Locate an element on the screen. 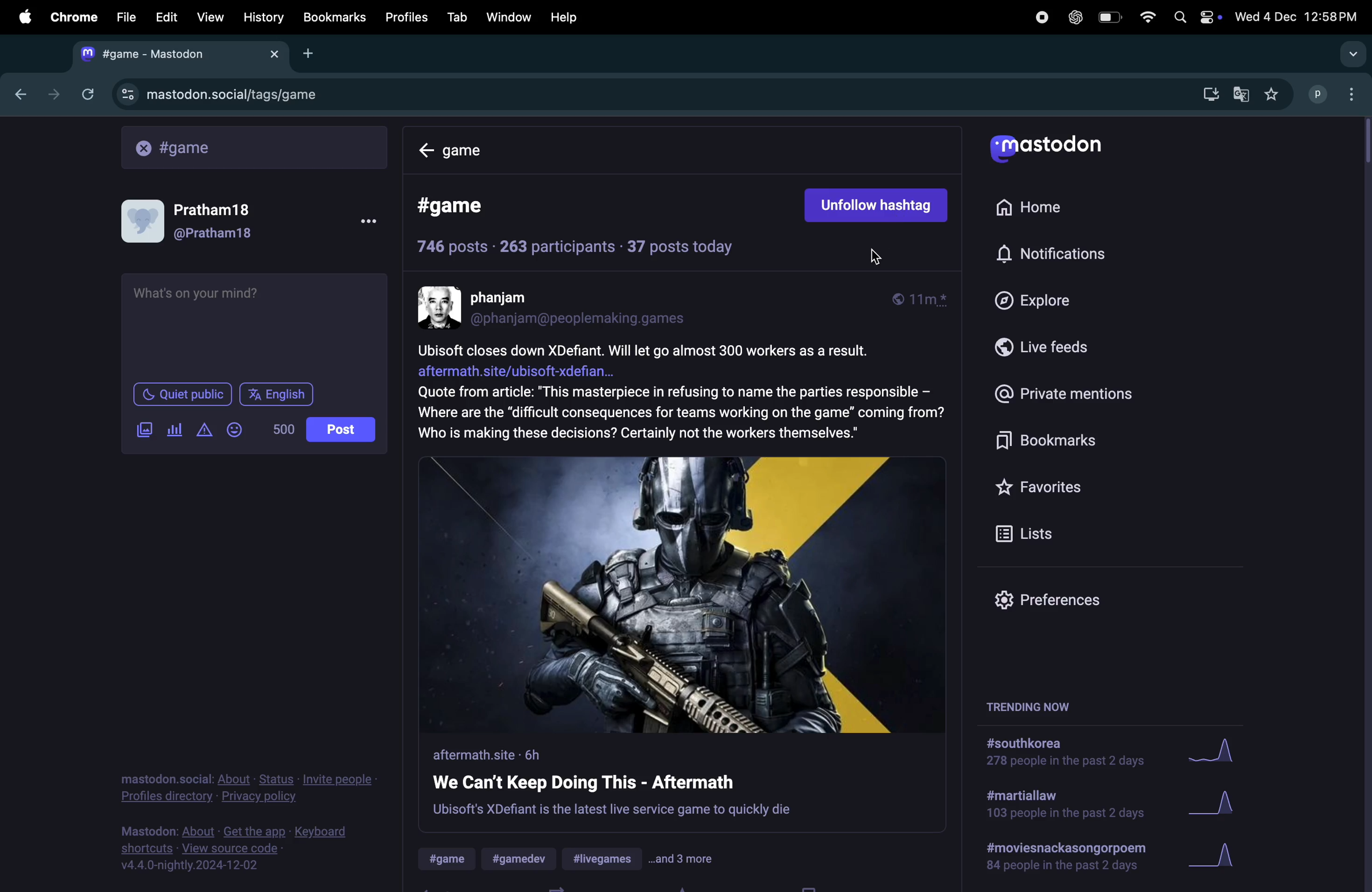  Profiles is located at coordinates (409, 17).